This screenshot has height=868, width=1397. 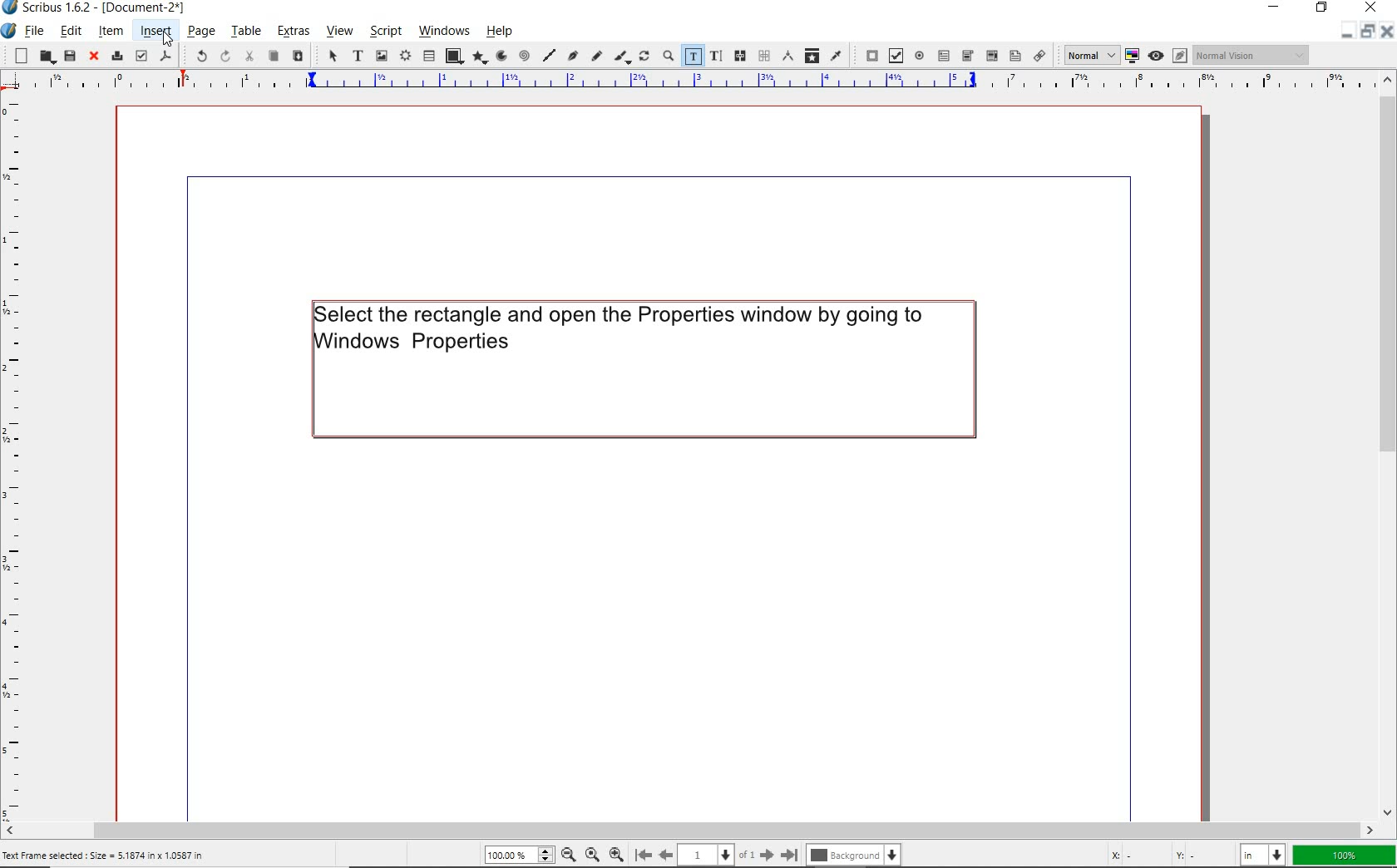 What do you see at coordinates (787, 55) in the screenshot?
I see `measurements` at bounding box center [787, 55].